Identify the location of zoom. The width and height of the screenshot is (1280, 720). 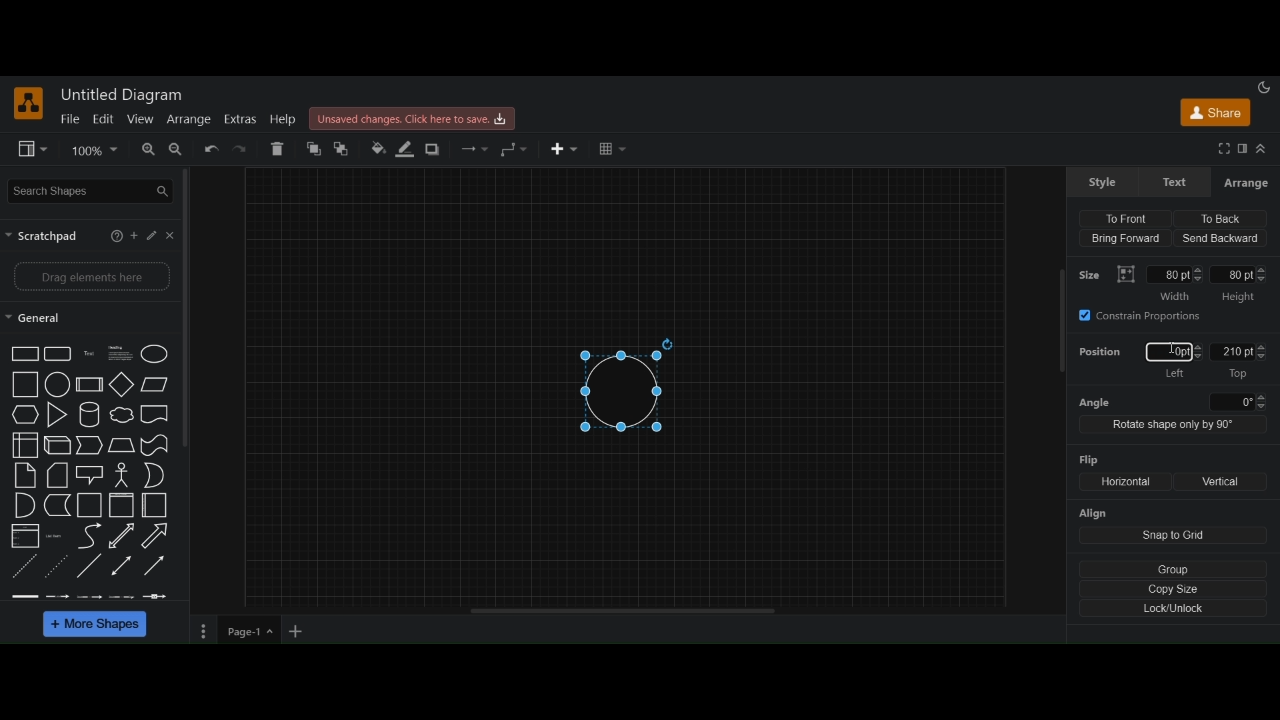
(95, 150).